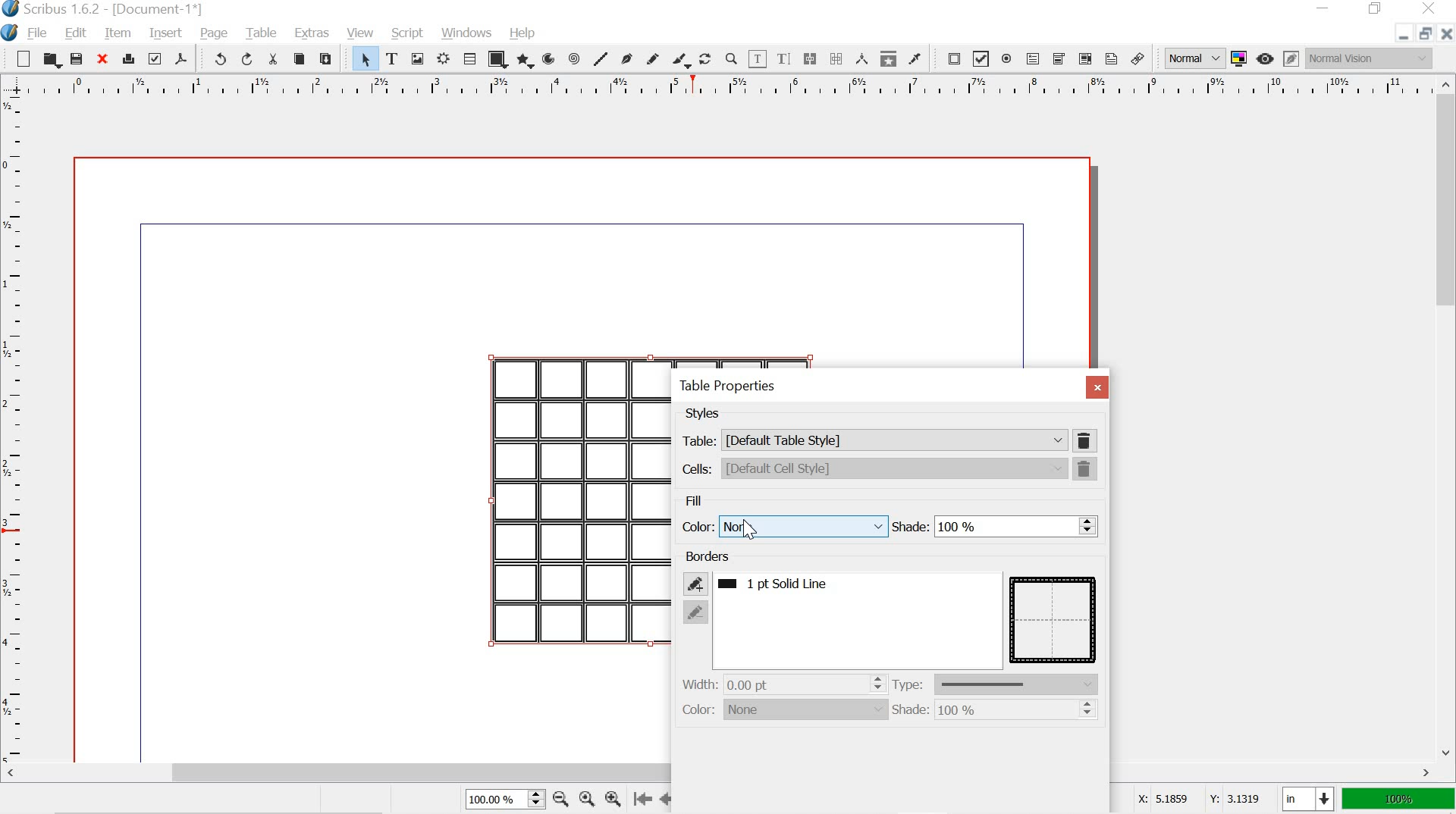 The width and height of the screenshot is (1456, 814). What do you see at coordinates (585, 798) in the screenshot?
I see `zoom to` at bounding box center [585, 798].